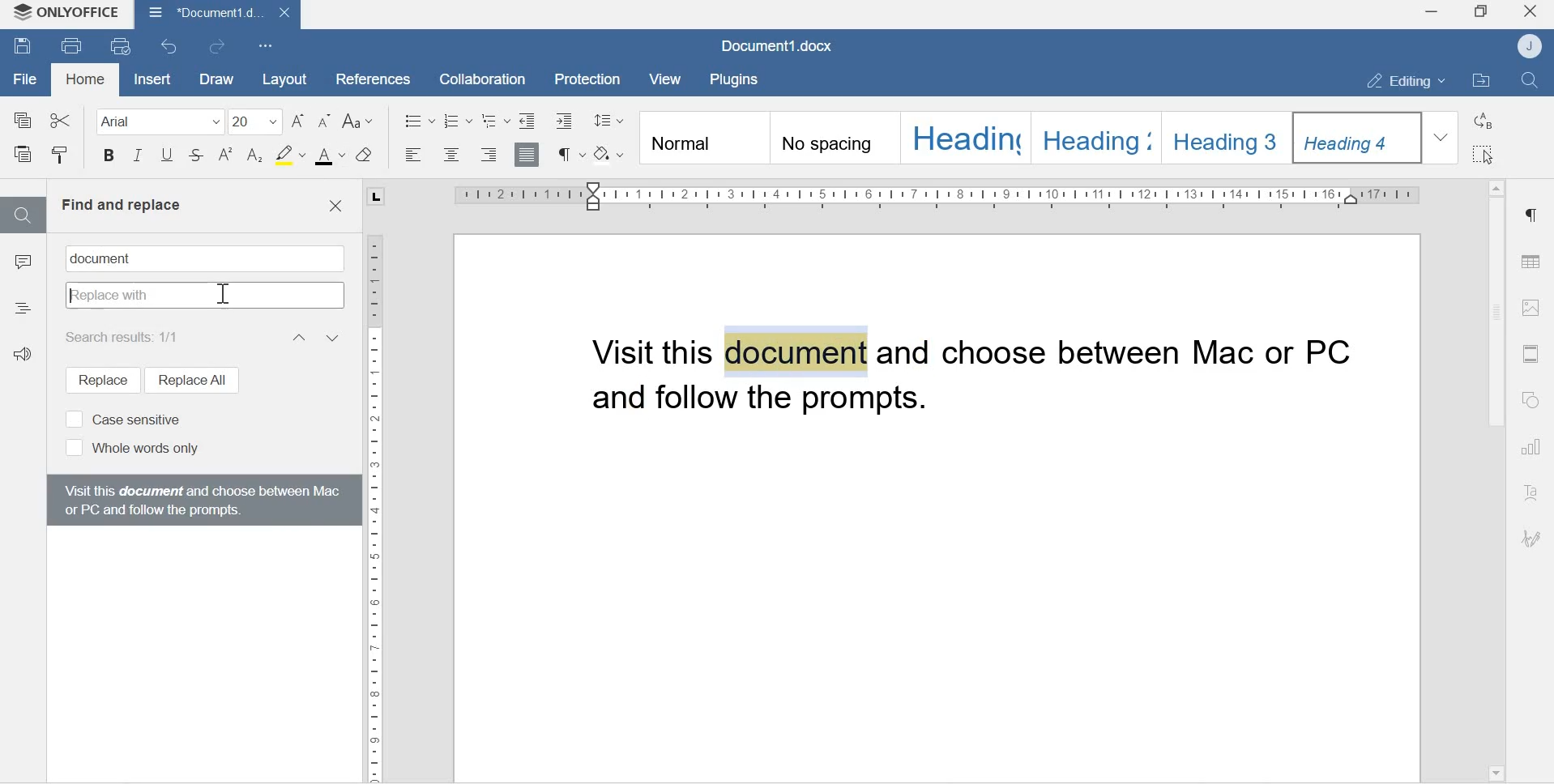  Describe the element at coordinates (367, 77) in the screenshot. I see `References` at that location.